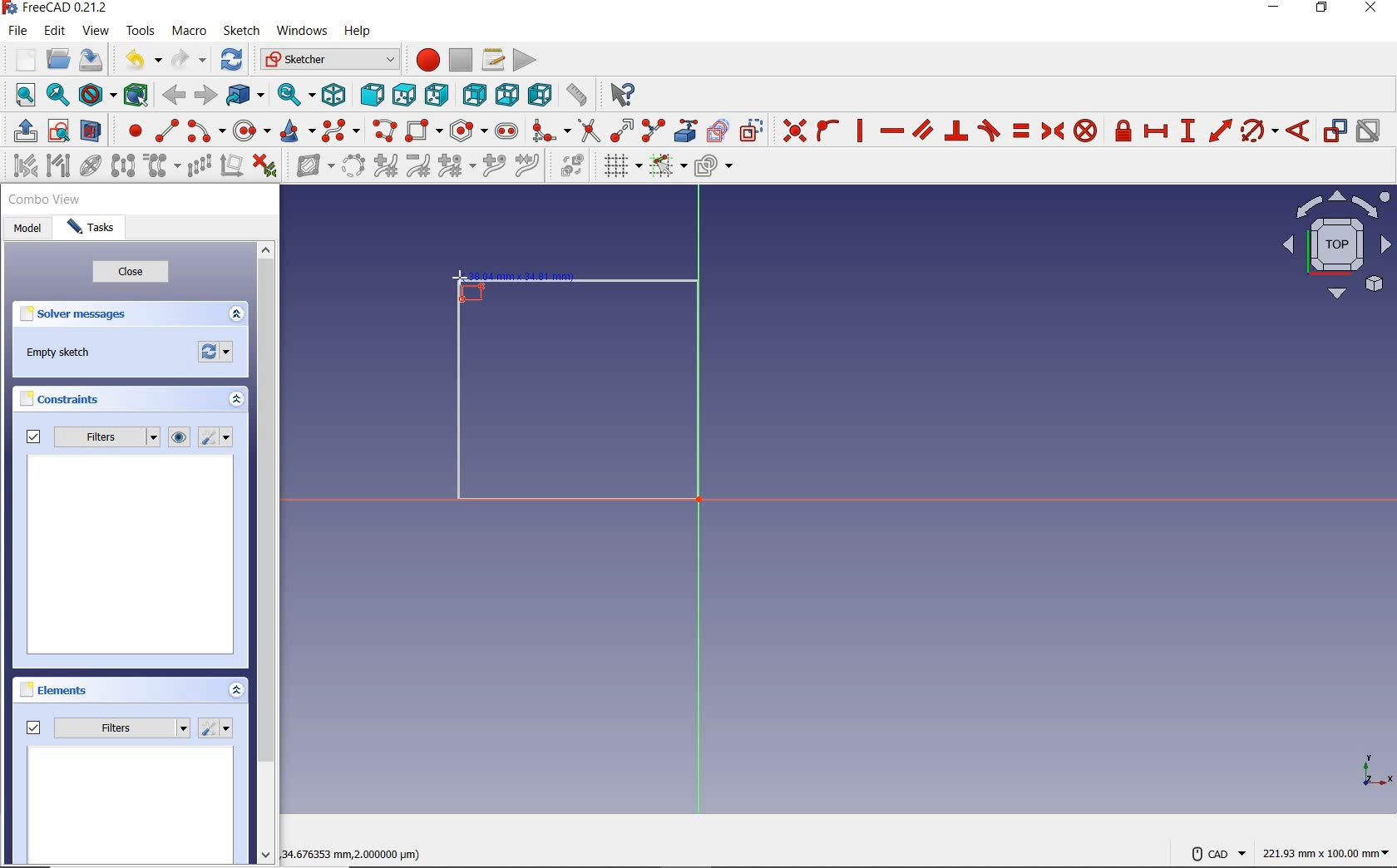  I want to click on toggle snap, so click(667, 167).